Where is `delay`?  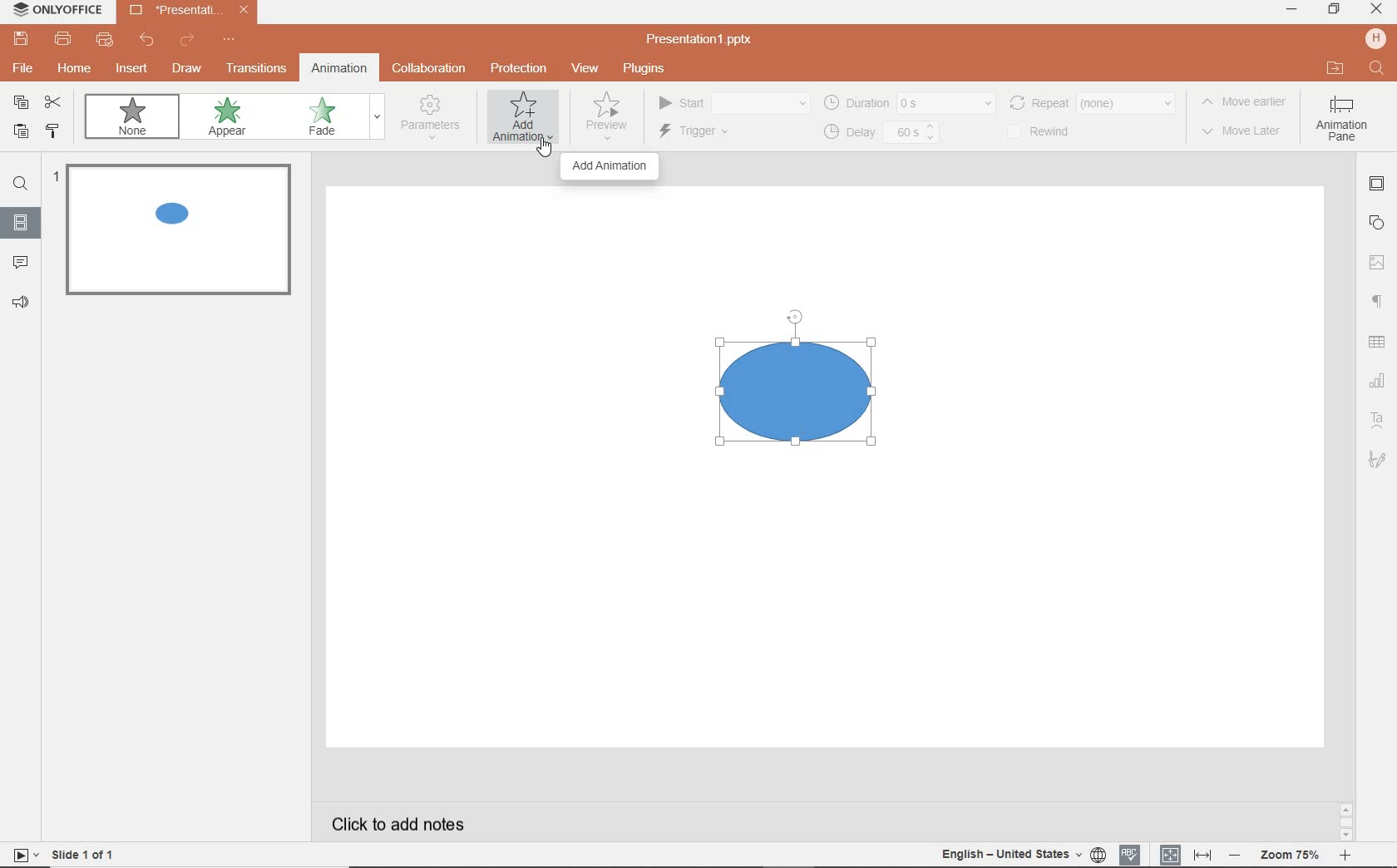
delay is located at coordinates (880, 133).